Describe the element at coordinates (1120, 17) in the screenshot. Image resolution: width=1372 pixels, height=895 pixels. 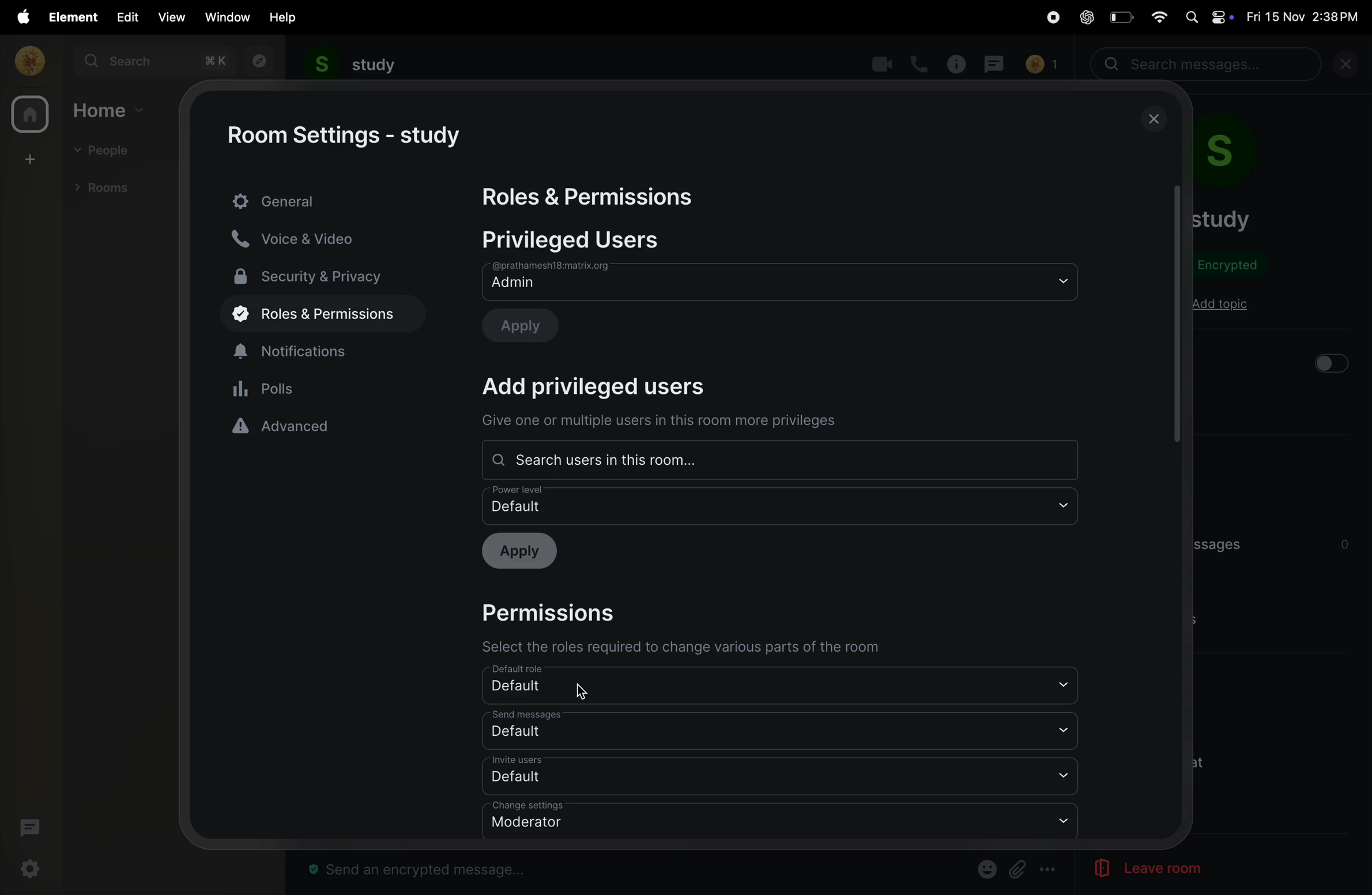
I see `battery` at that location.